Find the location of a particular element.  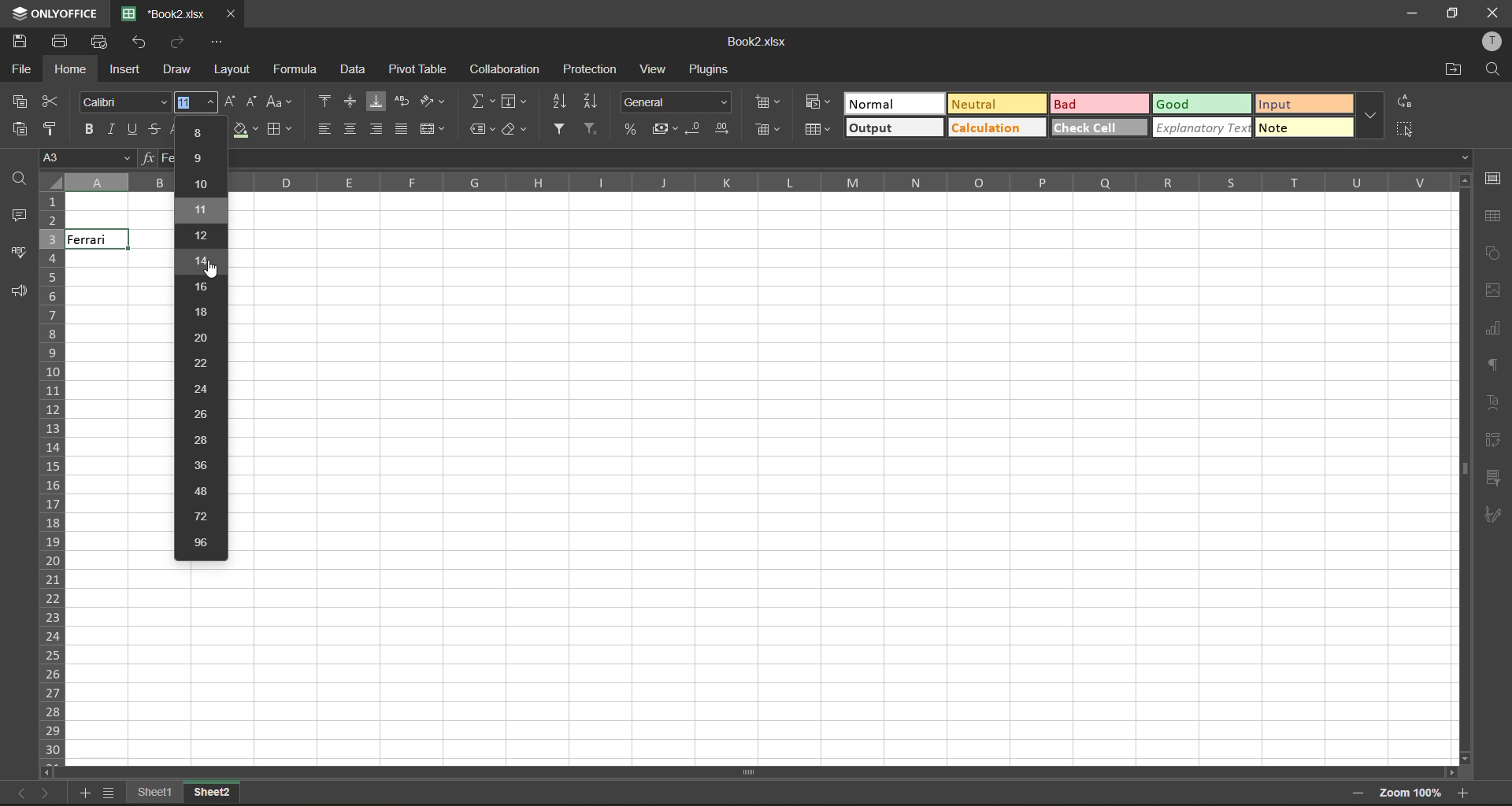

add sheet is located at coordinates (84, 793).